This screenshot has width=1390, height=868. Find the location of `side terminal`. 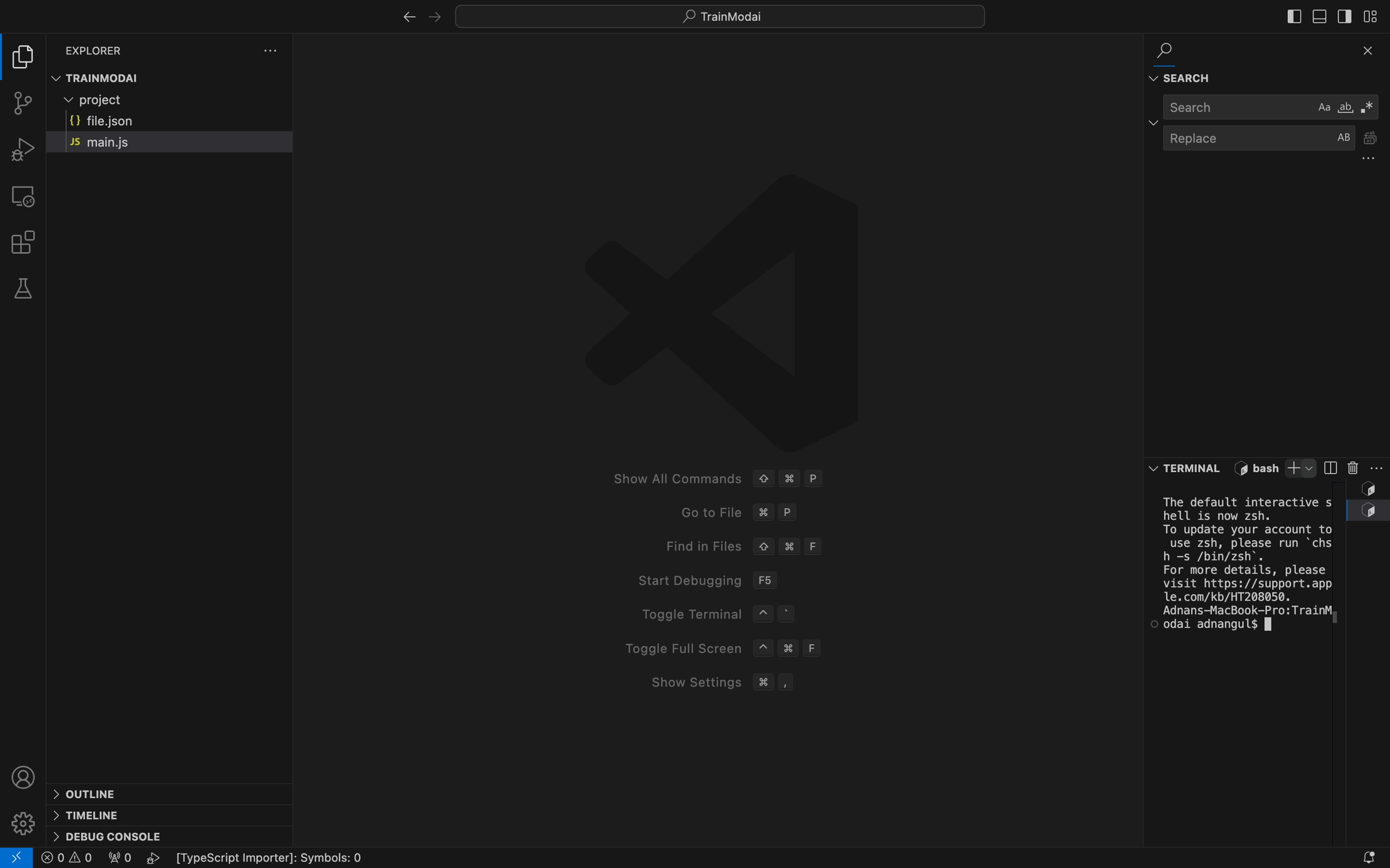

side terminal is located at coordinates (1330, 467).